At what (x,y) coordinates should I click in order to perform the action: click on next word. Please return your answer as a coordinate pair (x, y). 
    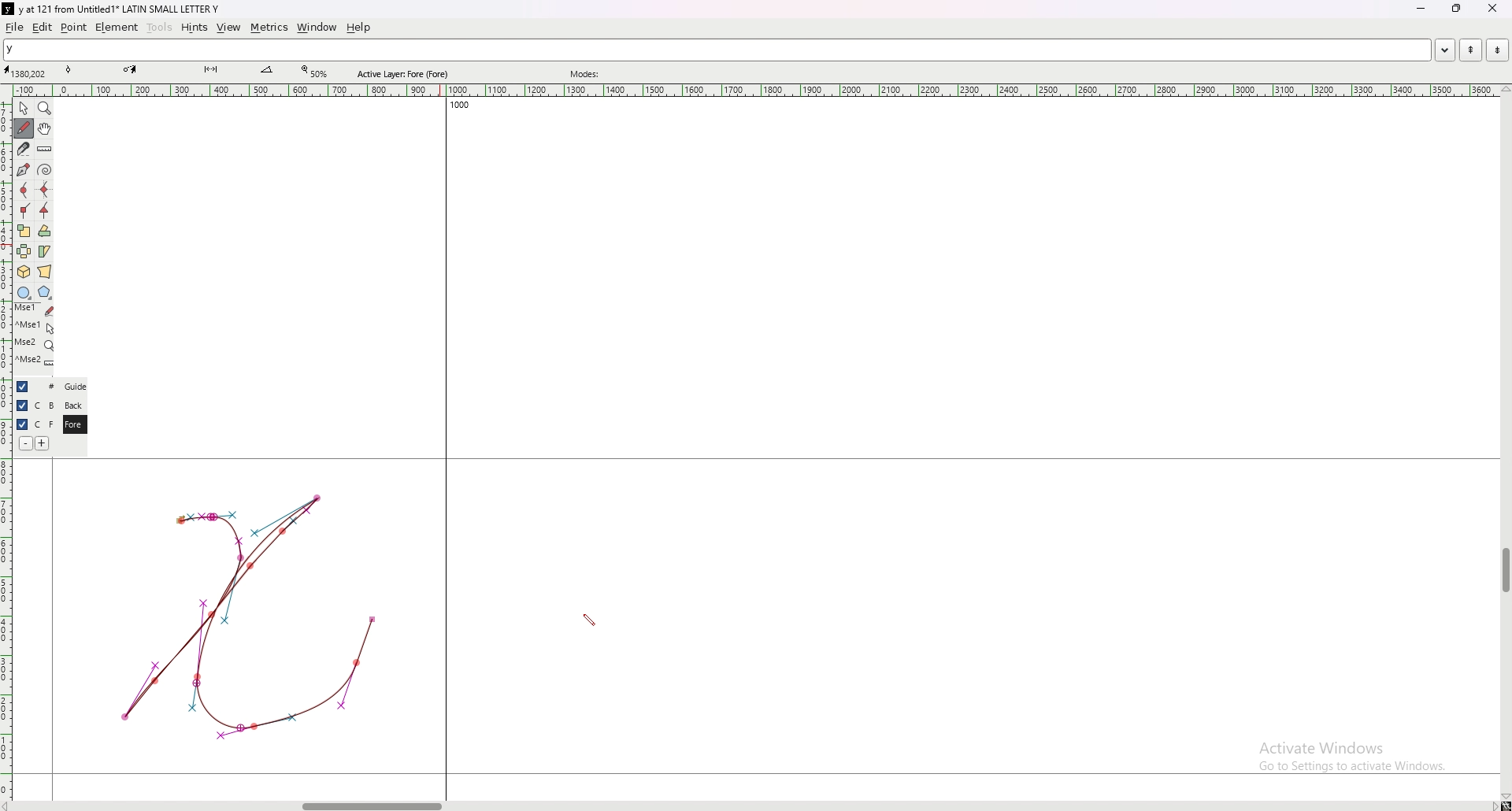
    Looking at the image, I should click on (1494, 50).